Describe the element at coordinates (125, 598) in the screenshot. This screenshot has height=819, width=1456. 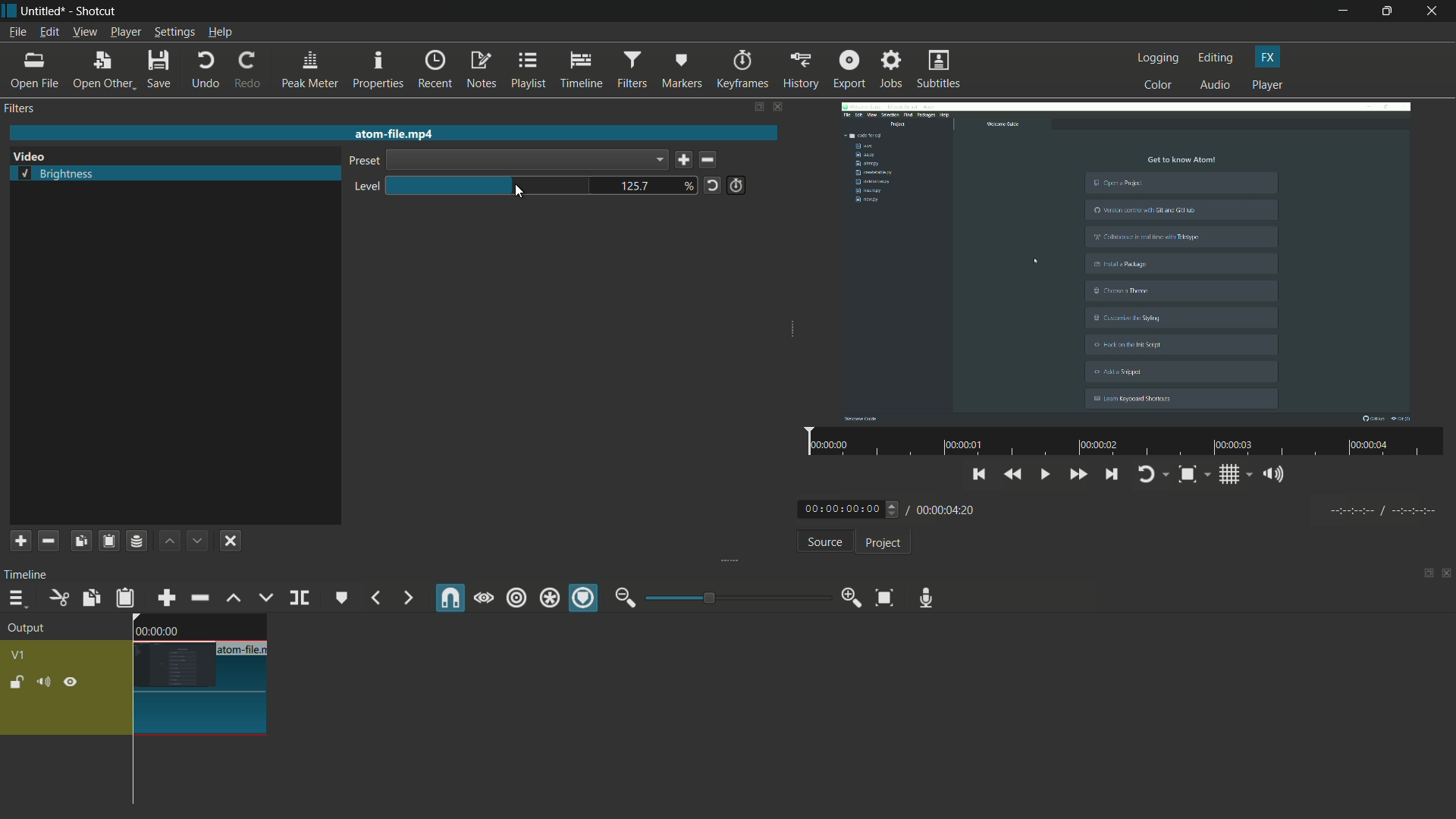
I see `paste` at that location.